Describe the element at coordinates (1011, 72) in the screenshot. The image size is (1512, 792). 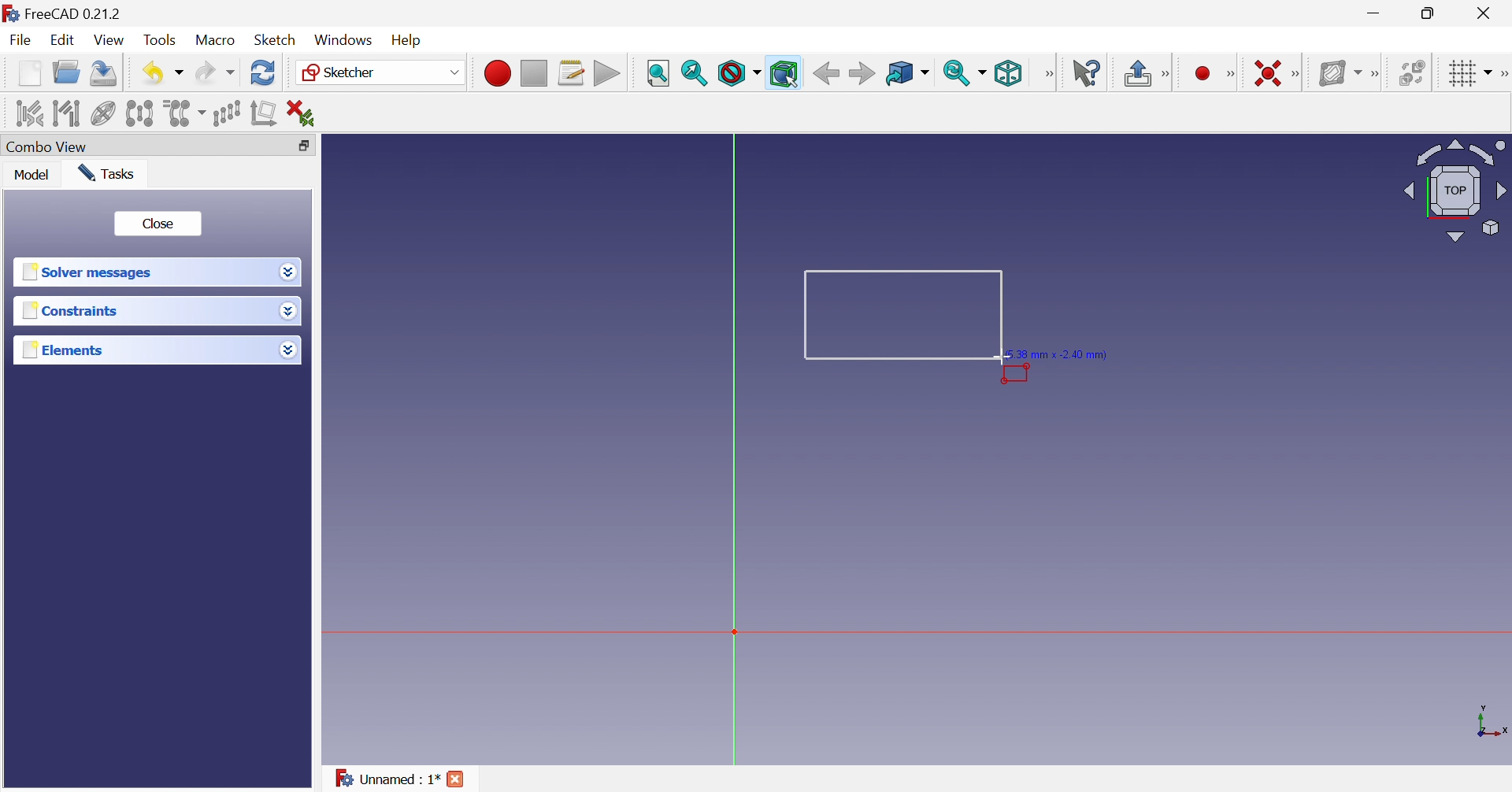
I see `Isometric` at that location.